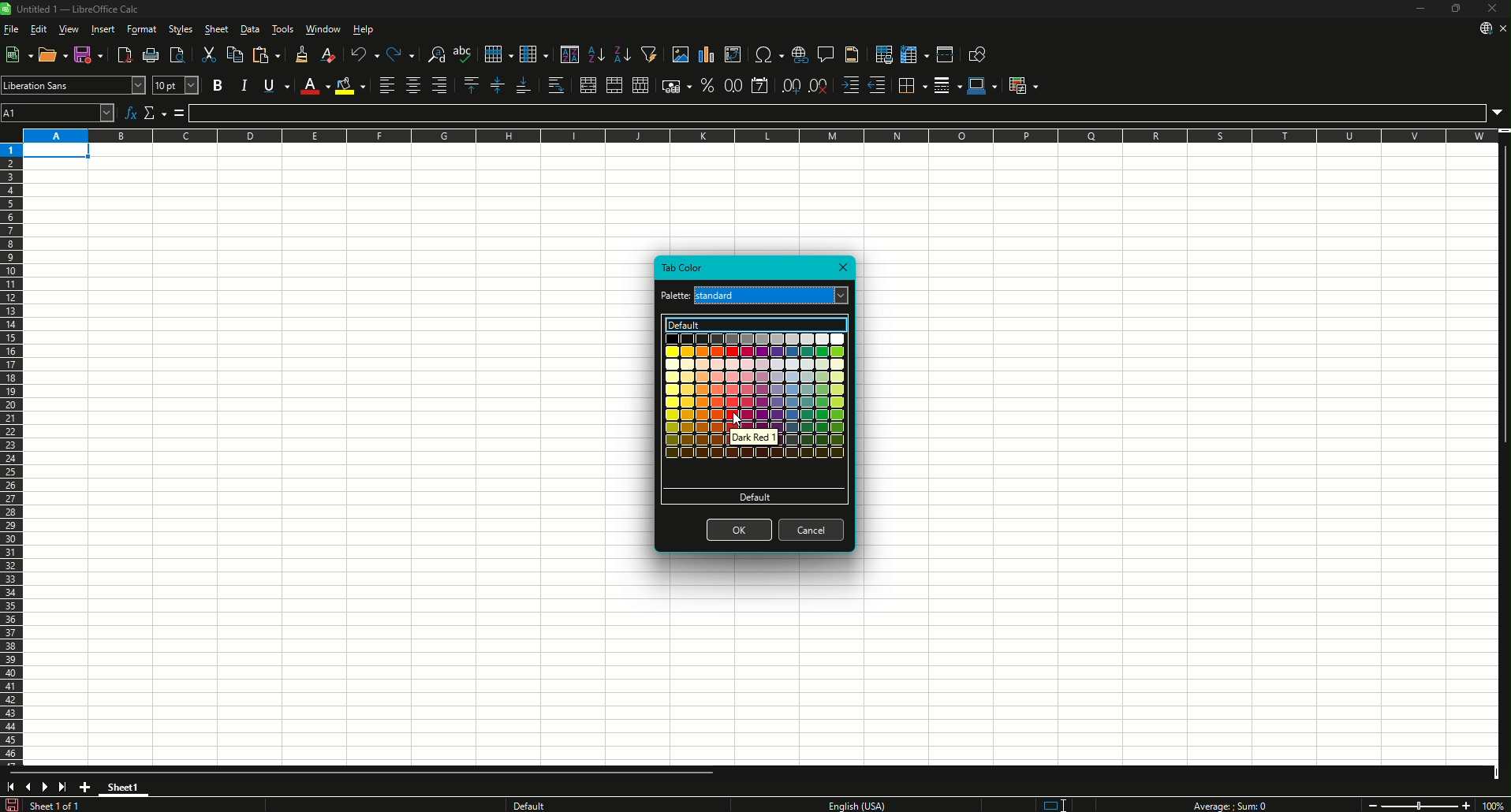 The image size is (1511, 812). Describe the element at coordinates (58, 805) in the screenshot. I see `Text` at that location.